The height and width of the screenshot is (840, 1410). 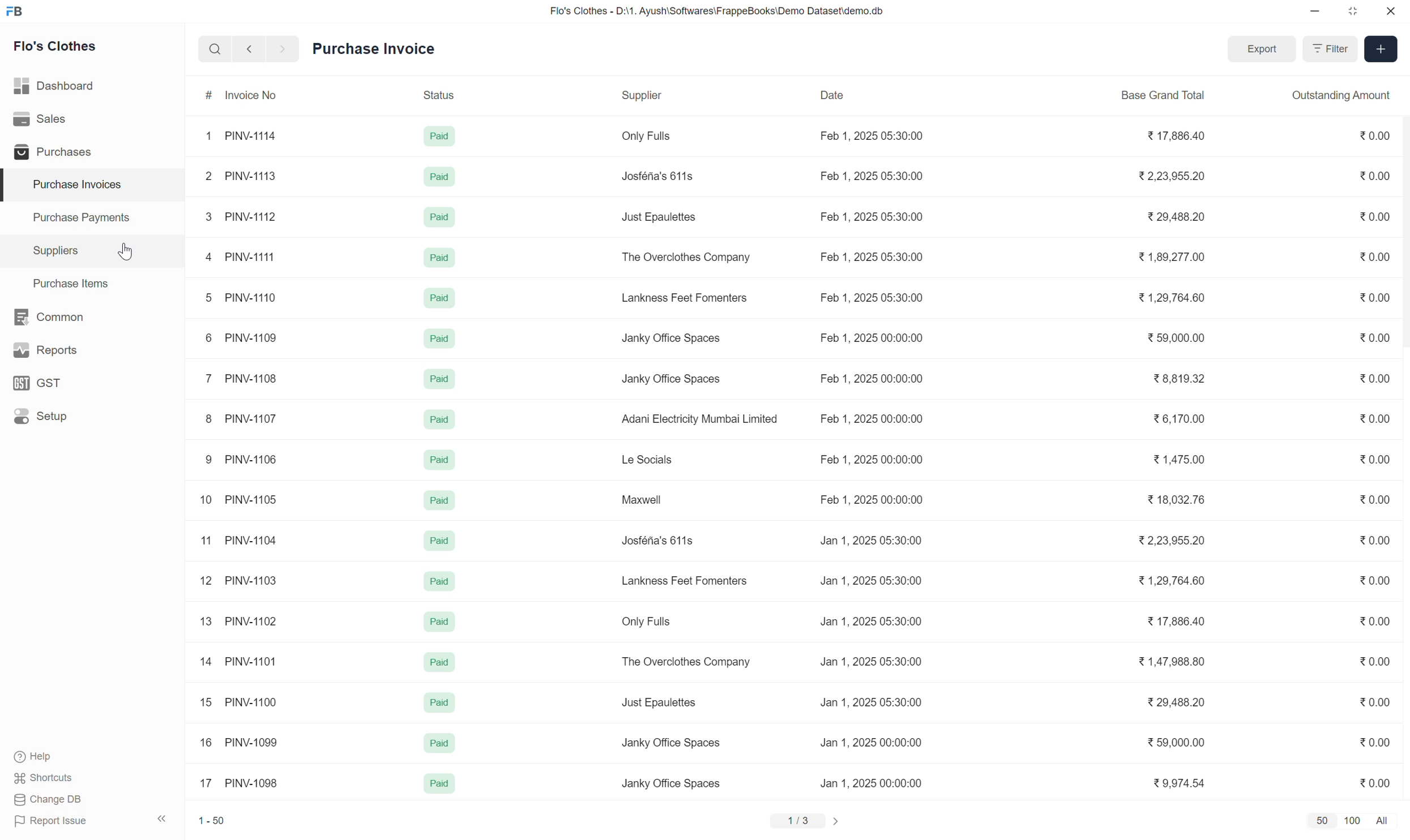 What do you see at coordinates (1375, 337) in the screenshot?
I see `0.00` at bounding box center [1375, 337].